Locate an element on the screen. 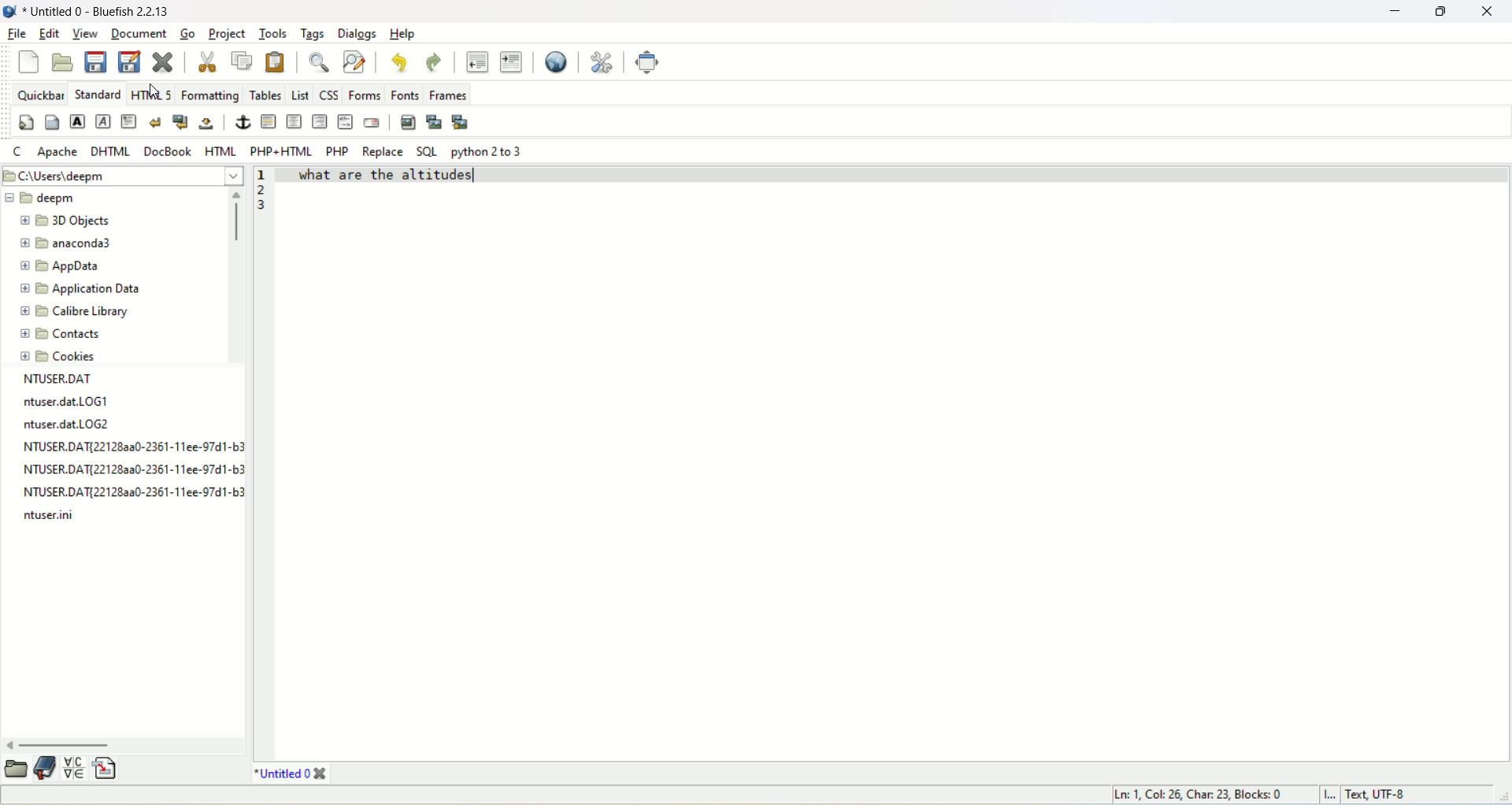  emphasize is located at coordinates (103, 122).